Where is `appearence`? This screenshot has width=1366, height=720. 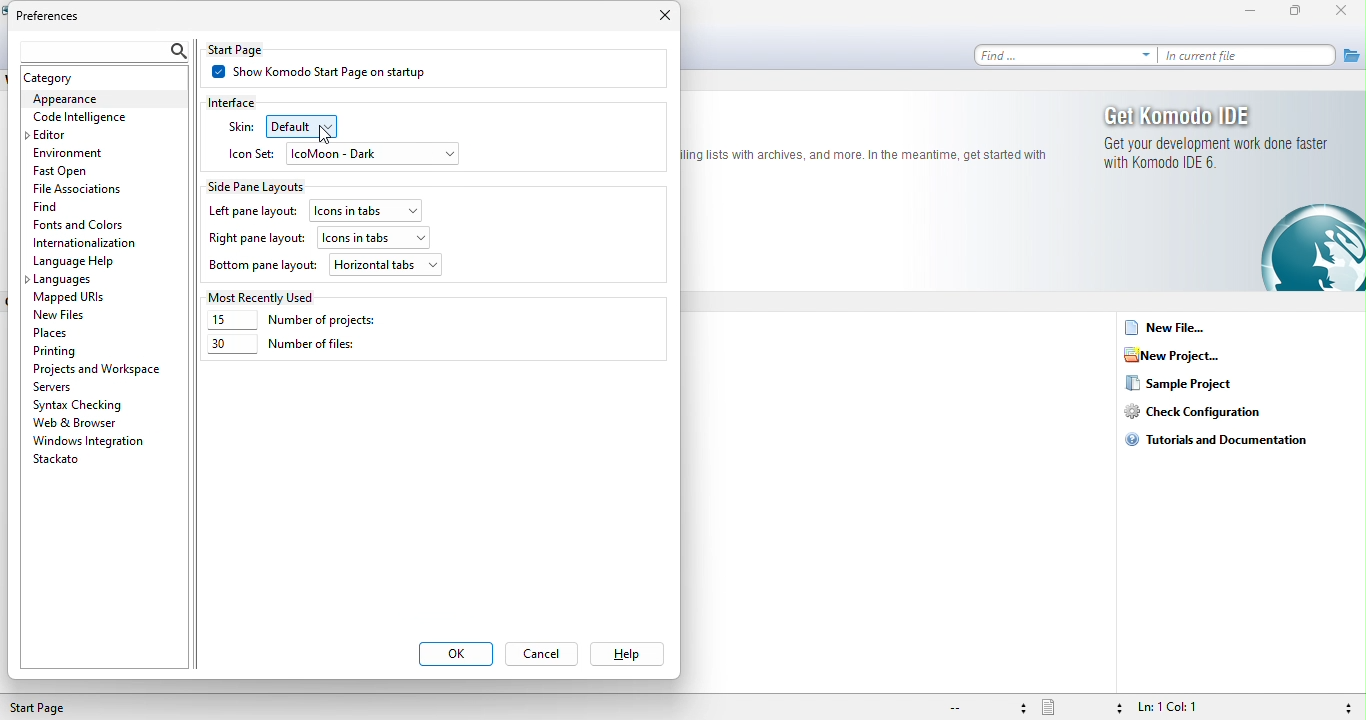 appearence is located at coordinates (102, 100).